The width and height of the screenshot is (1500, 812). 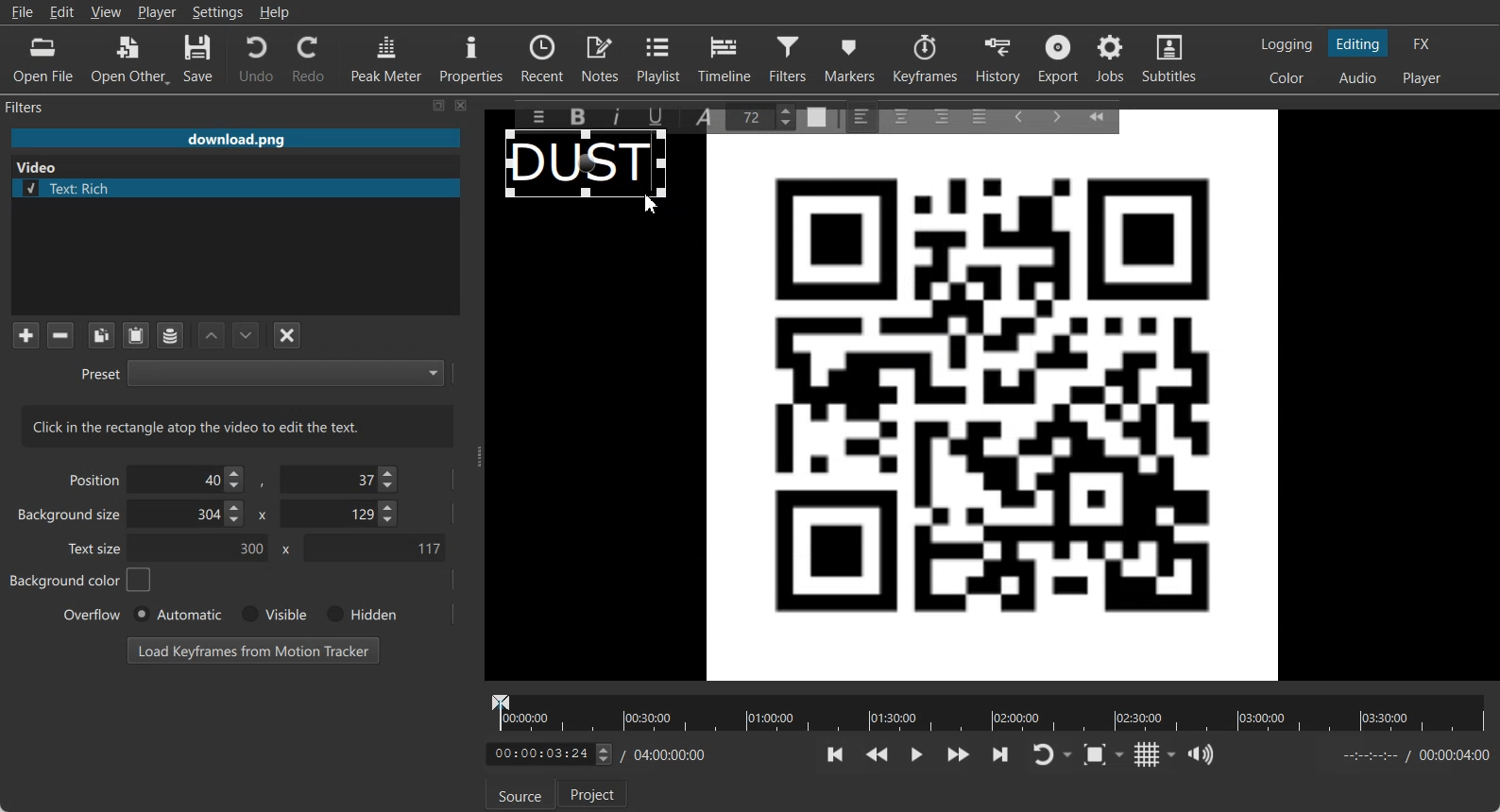 I want to click on Open Other, so click(x=130, y=59).